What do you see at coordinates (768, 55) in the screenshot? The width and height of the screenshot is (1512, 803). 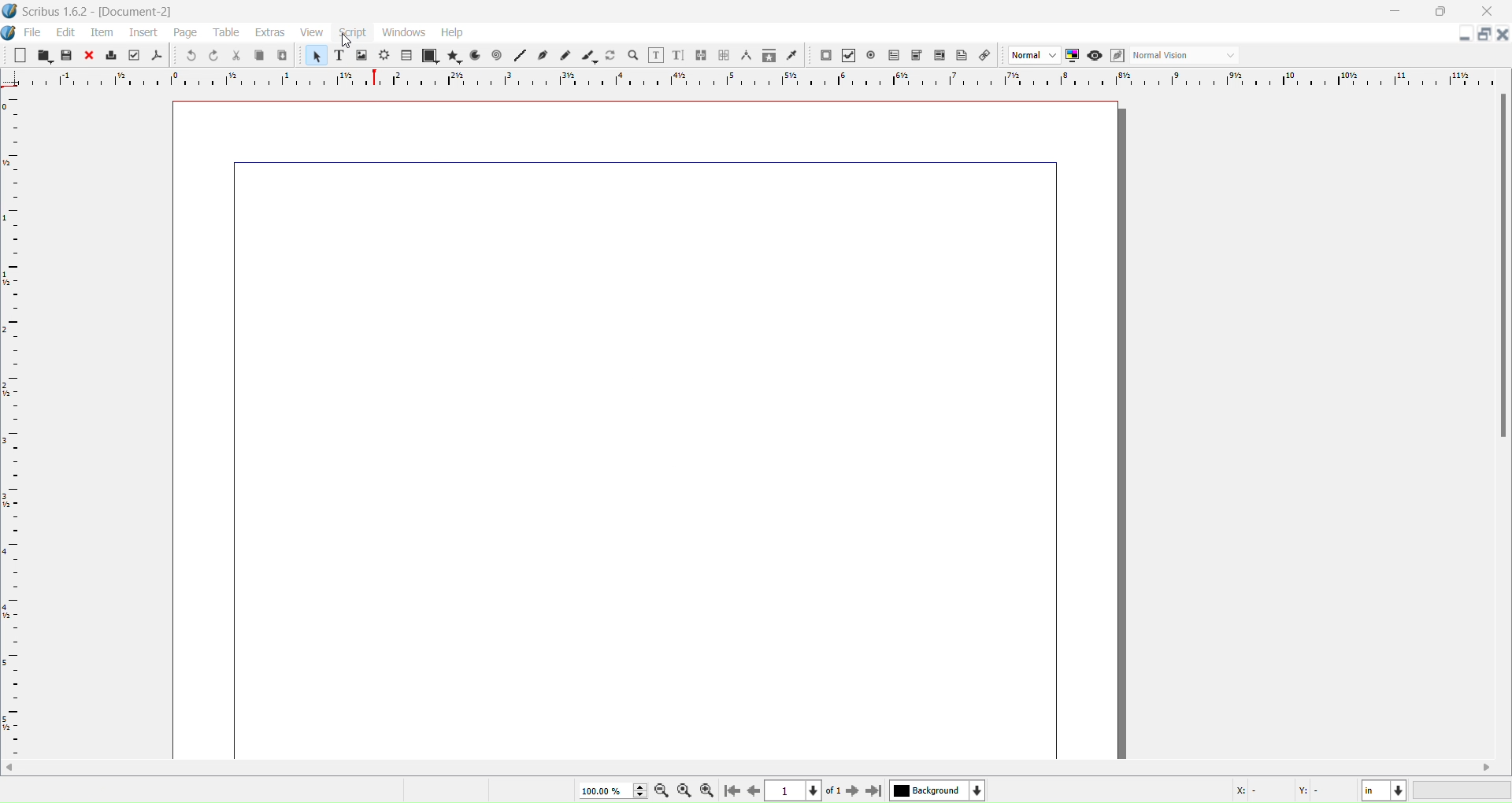 I see `Copy Item Properties` at bounding box center [768, 55].